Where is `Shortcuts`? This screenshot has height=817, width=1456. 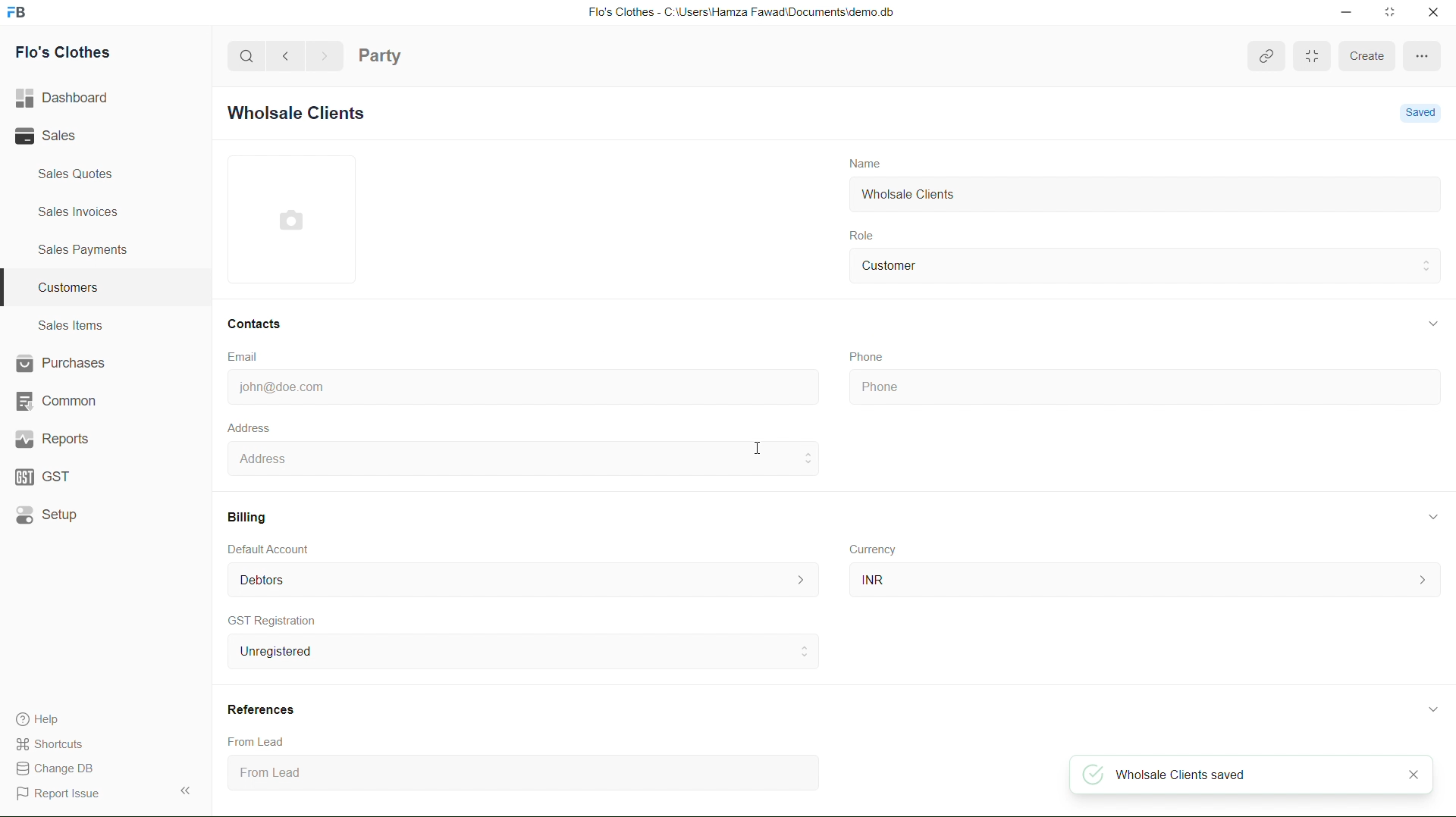 Shortcuts is located at coordinates (59, 743).